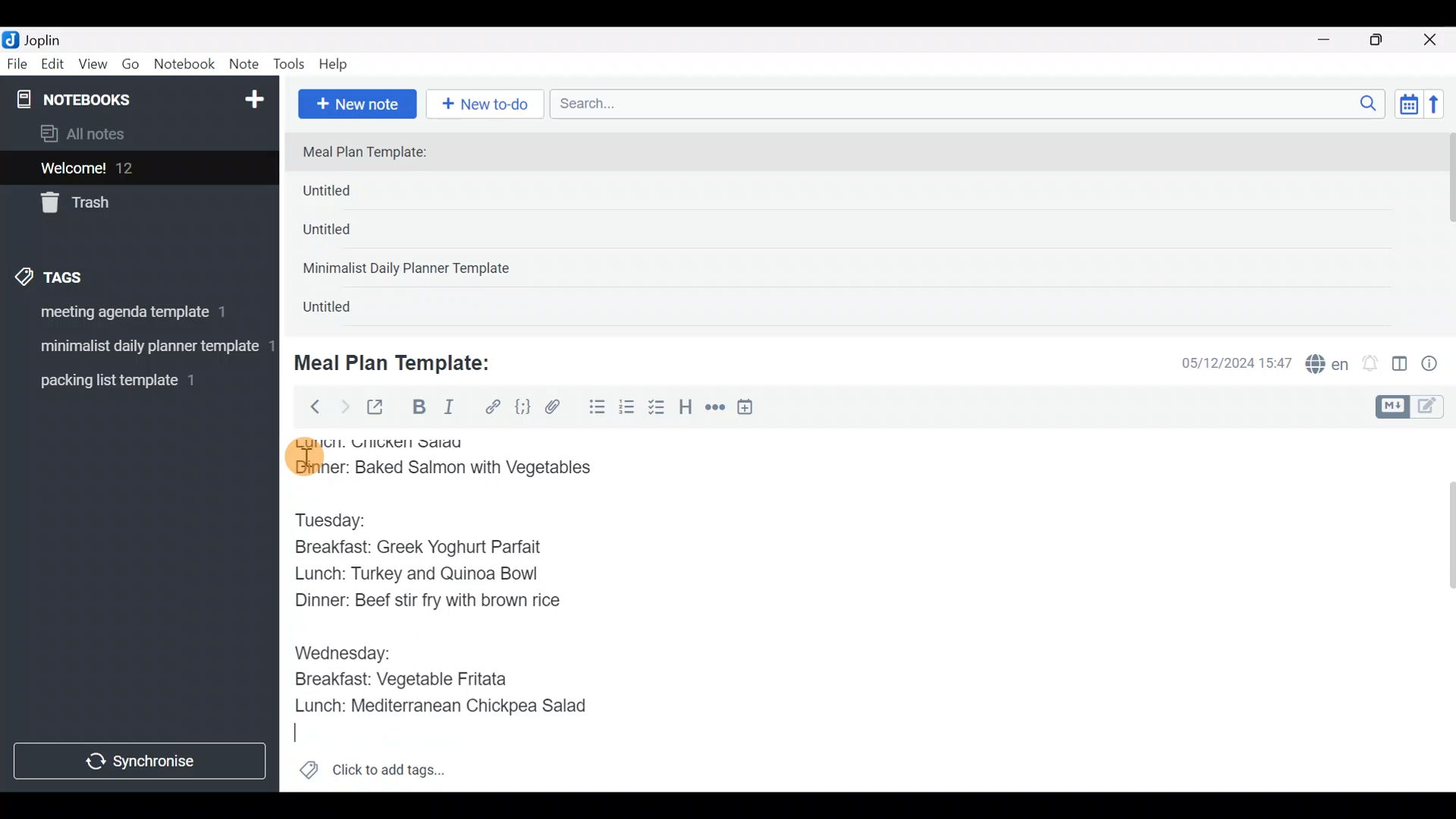  What do you see at coordinates (142, 761) in the screenshot?
I see `Synchronize` at bounding box center [142, 761].